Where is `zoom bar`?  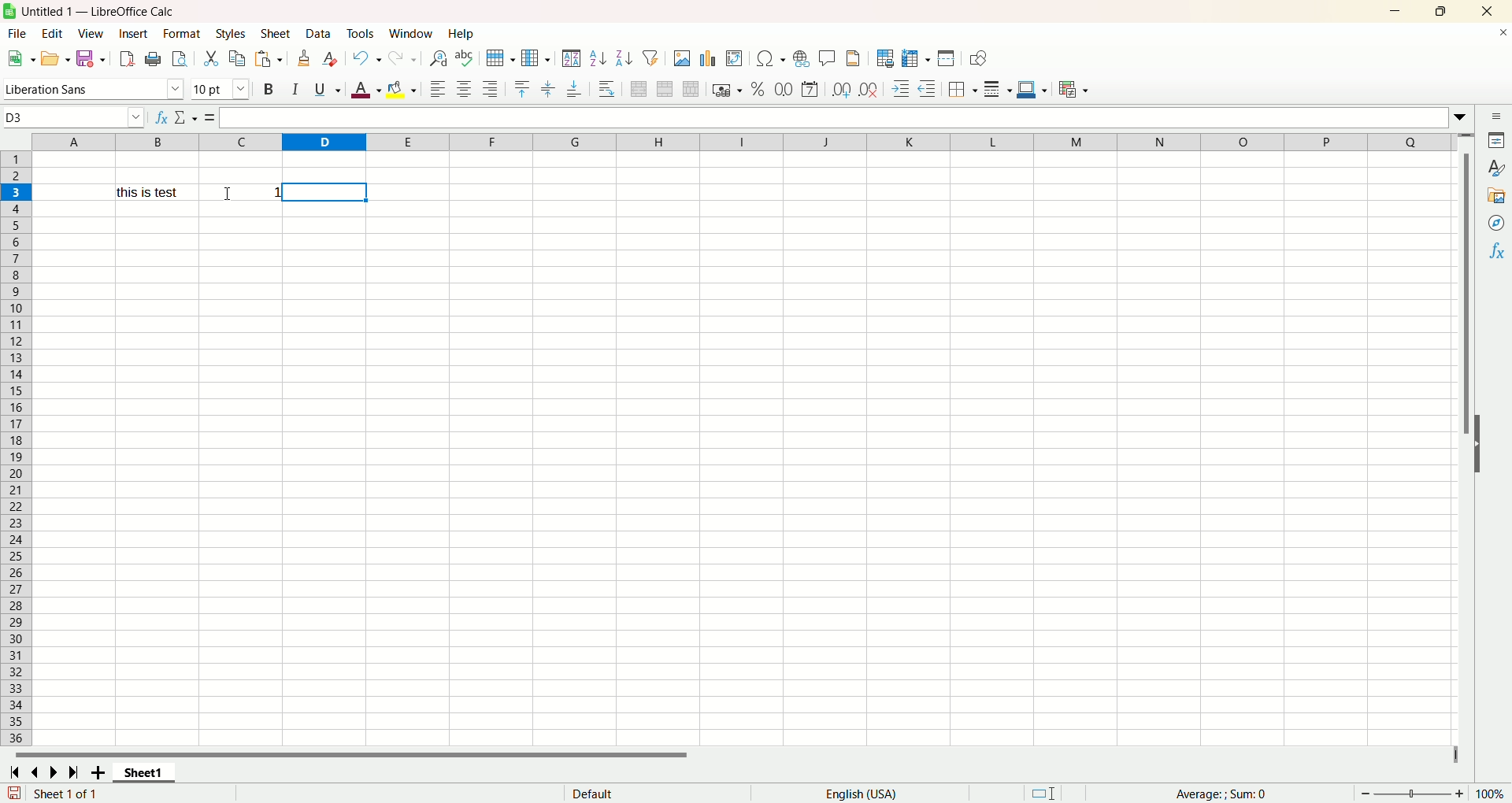
zoom bar is located at coordinates (1410, 793).